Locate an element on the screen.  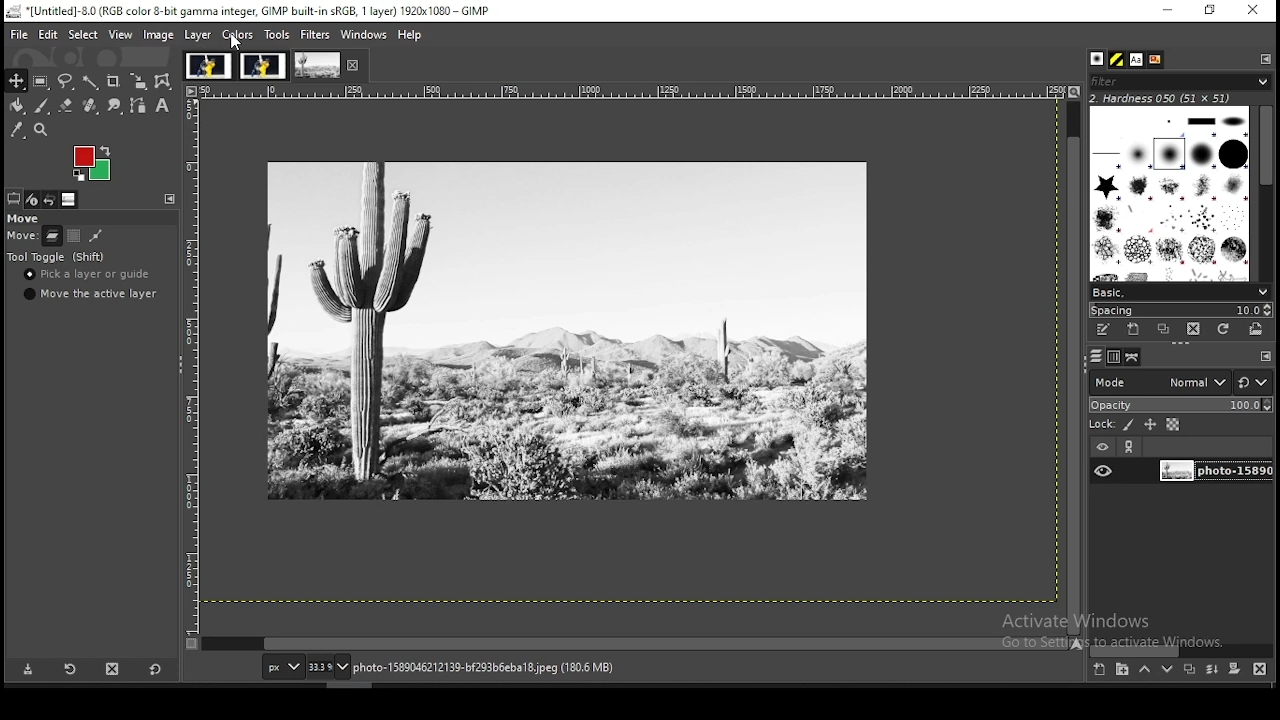
fonts is located at coordinates (1138, 59).